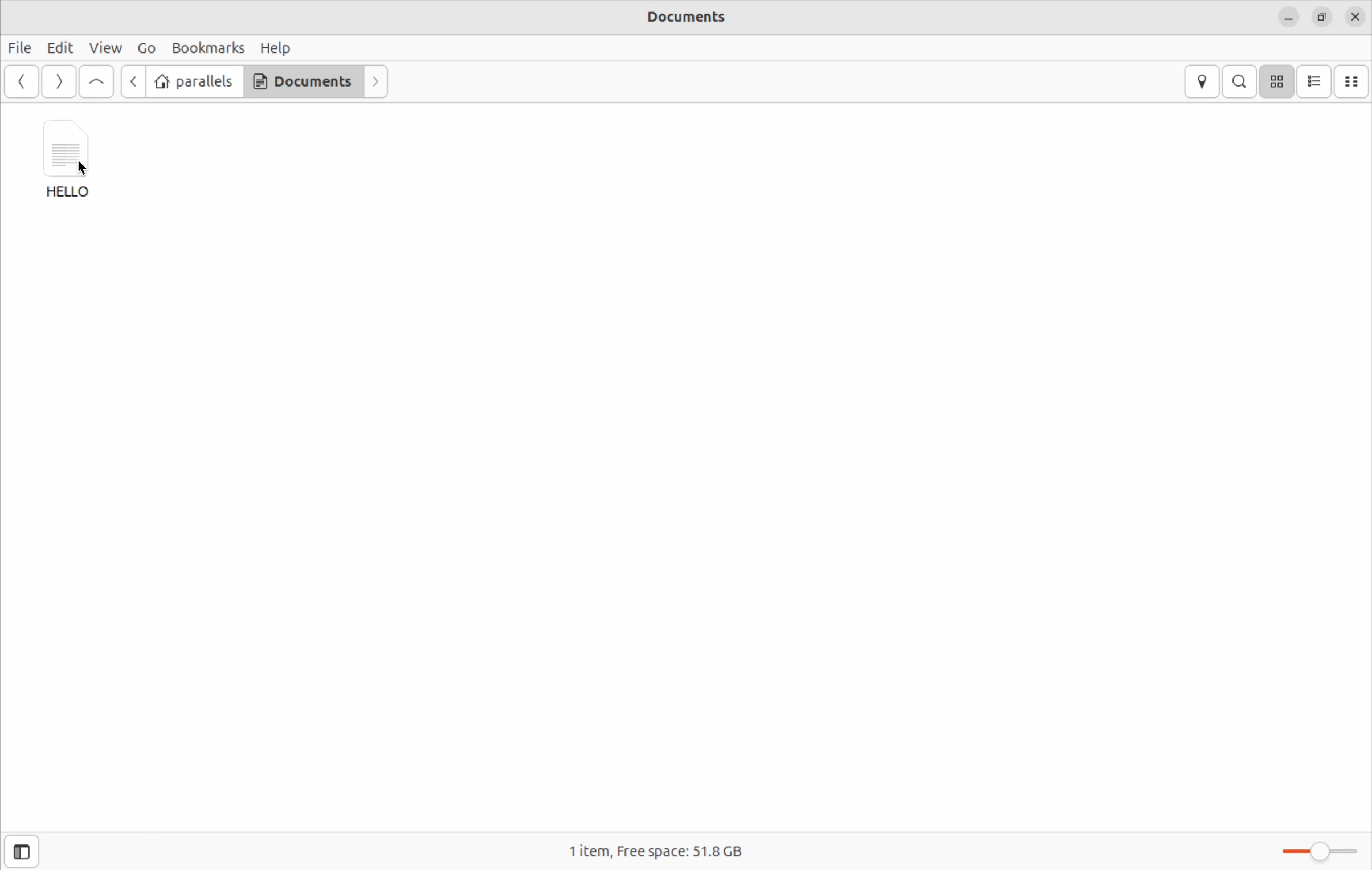 The width and height of the screenshot is (1372, 870). I want to click on Go , so click(147, 47).